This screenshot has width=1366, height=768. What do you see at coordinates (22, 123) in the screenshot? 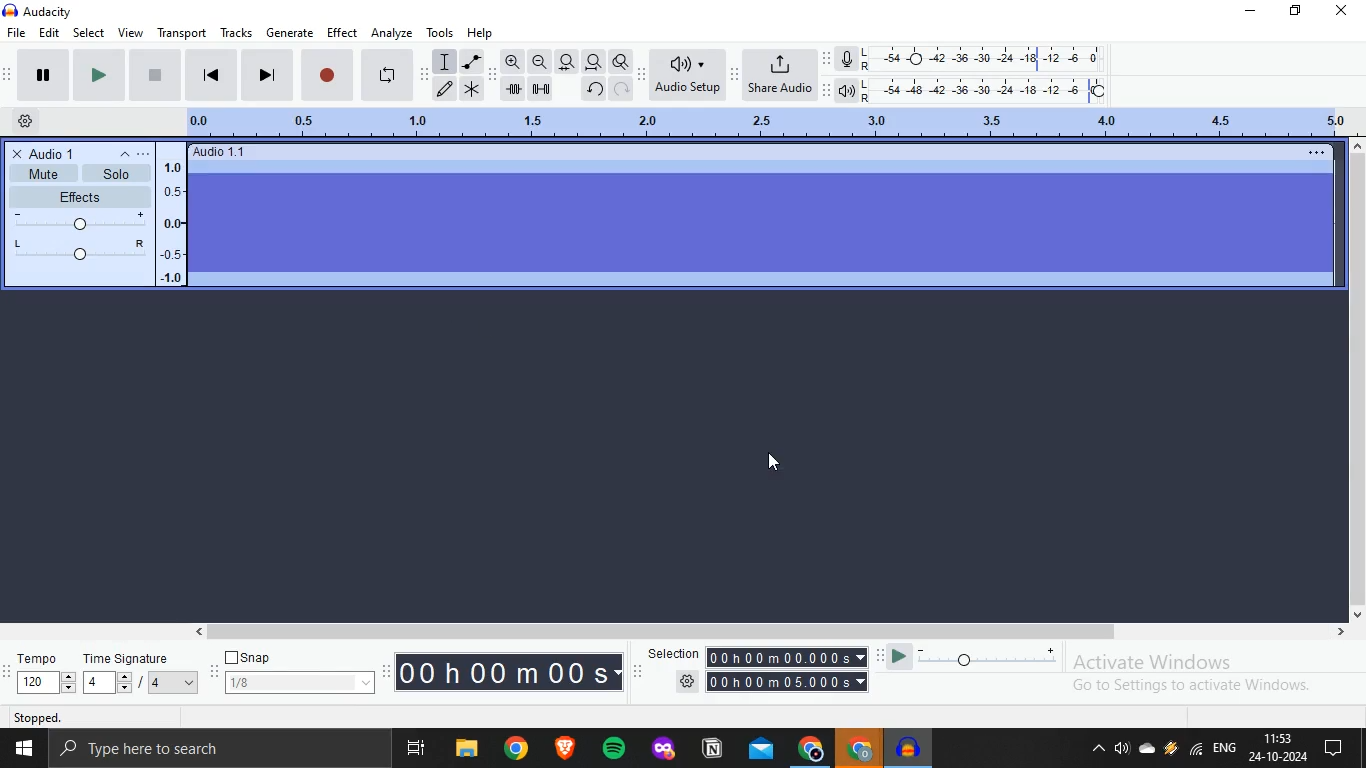
I see `Settings` at bounding box center [22, 123].